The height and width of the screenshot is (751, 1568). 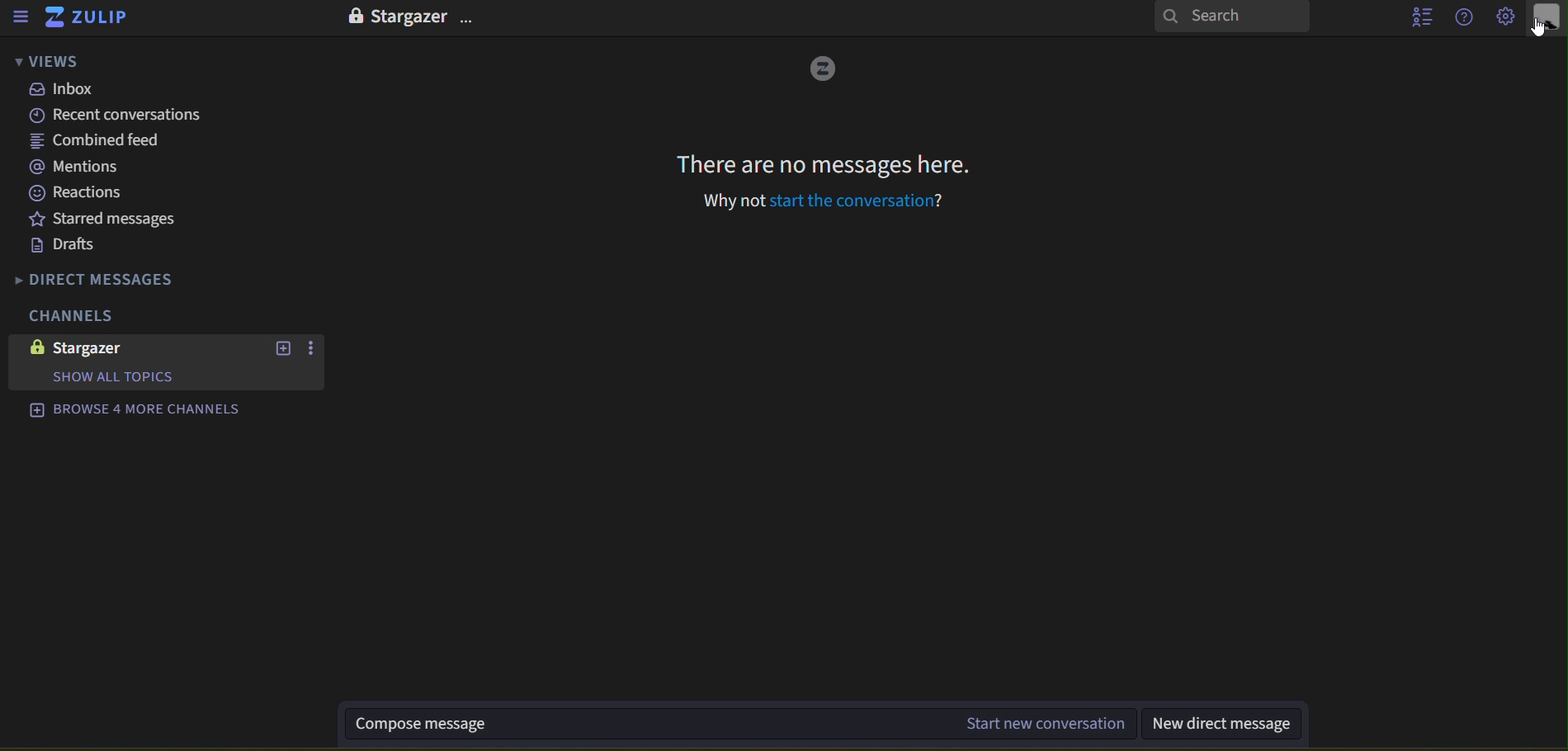 What do you see at coordinates (83, 314) in the screenshot?
I see `channels` at bounding box center [83, 314].